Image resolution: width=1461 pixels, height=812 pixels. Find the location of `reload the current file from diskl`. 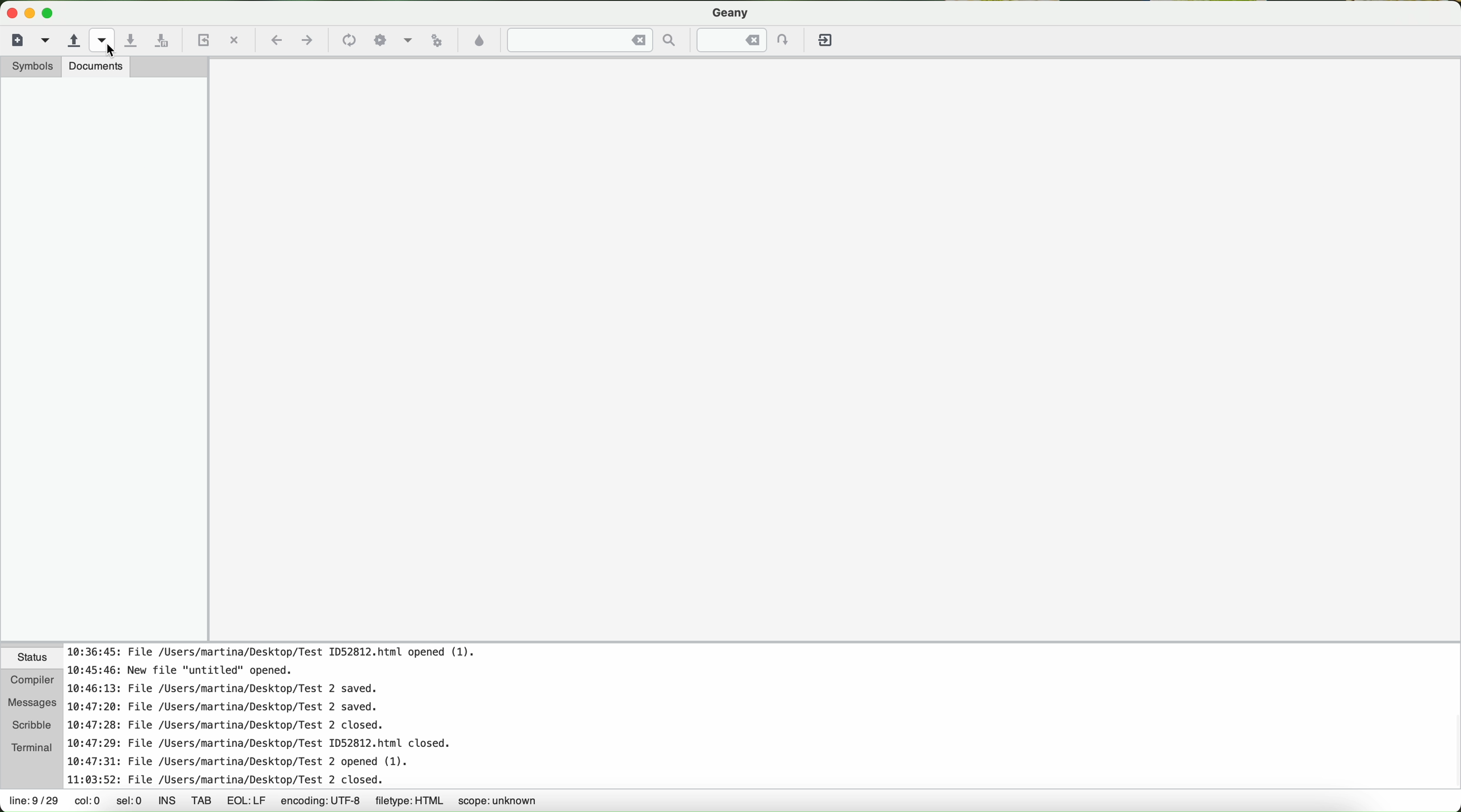

reload the current file from diskl is located at coordinates (202, 41).